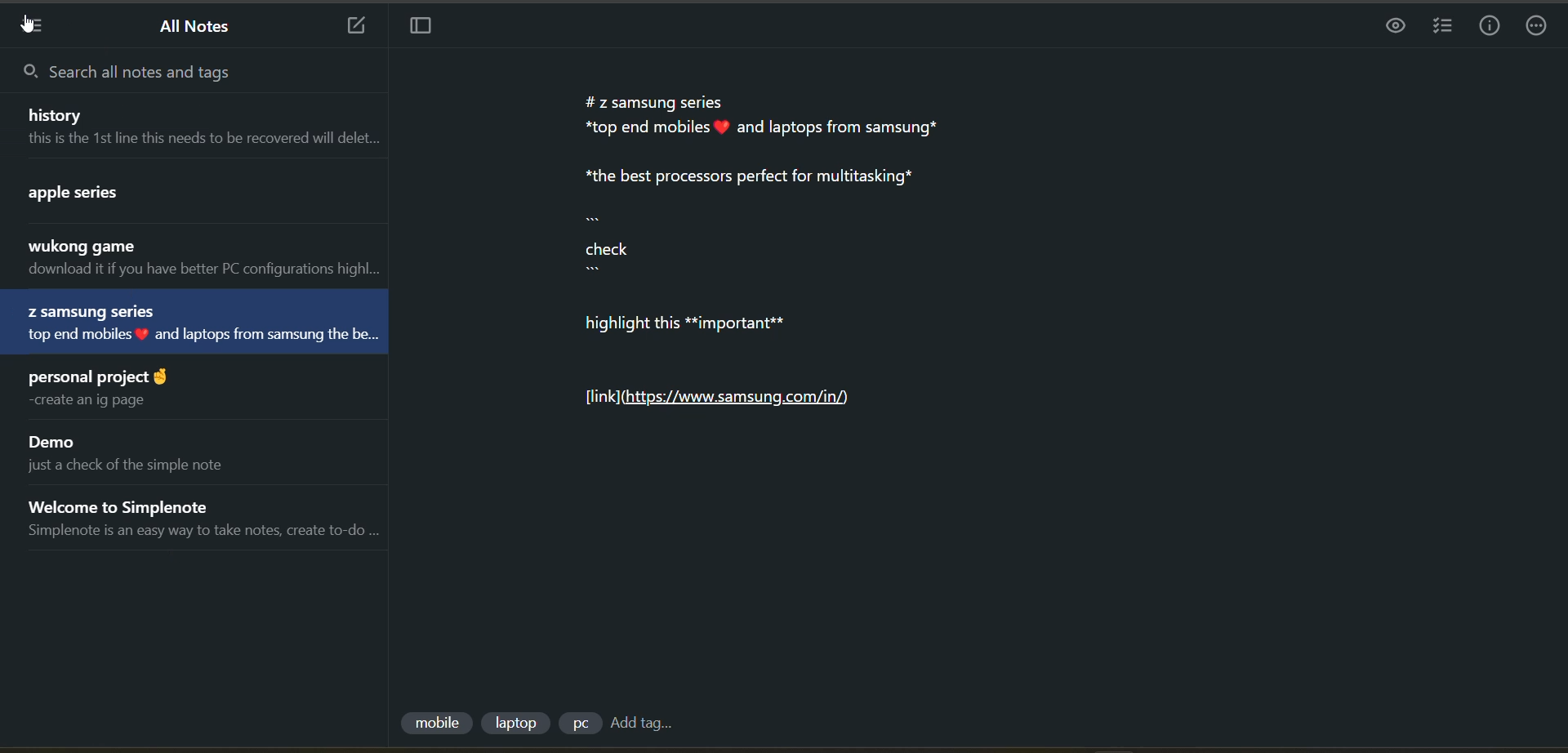 The image size is (1568, 753). Describe the element at coordinates (172, 75) in the screenshot. I see `search all notes and tags` at that location.